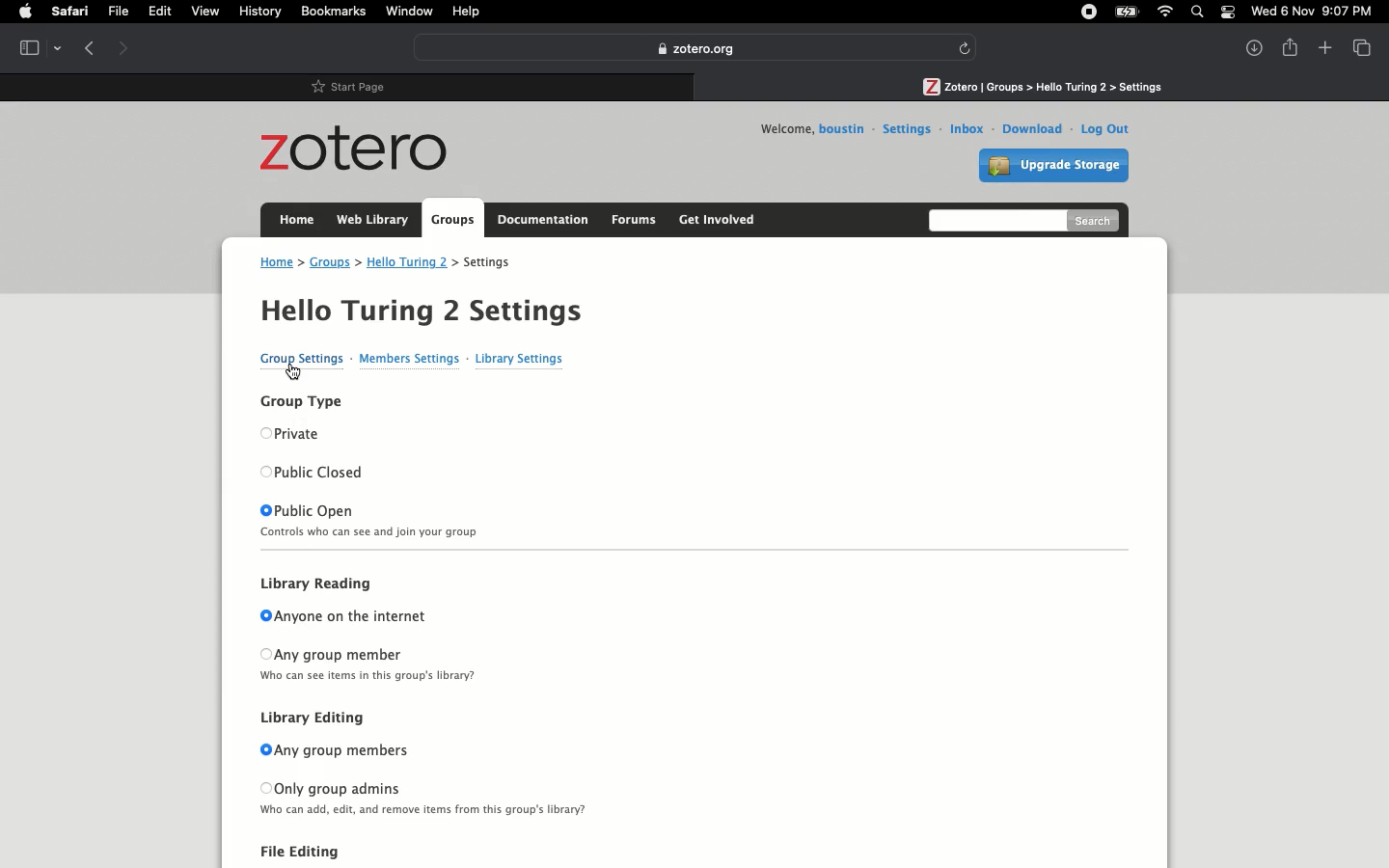 The image size is (1389, 868). Describe the element at coordinates (988, 220) in the screenshot. I see `Search` at that location.